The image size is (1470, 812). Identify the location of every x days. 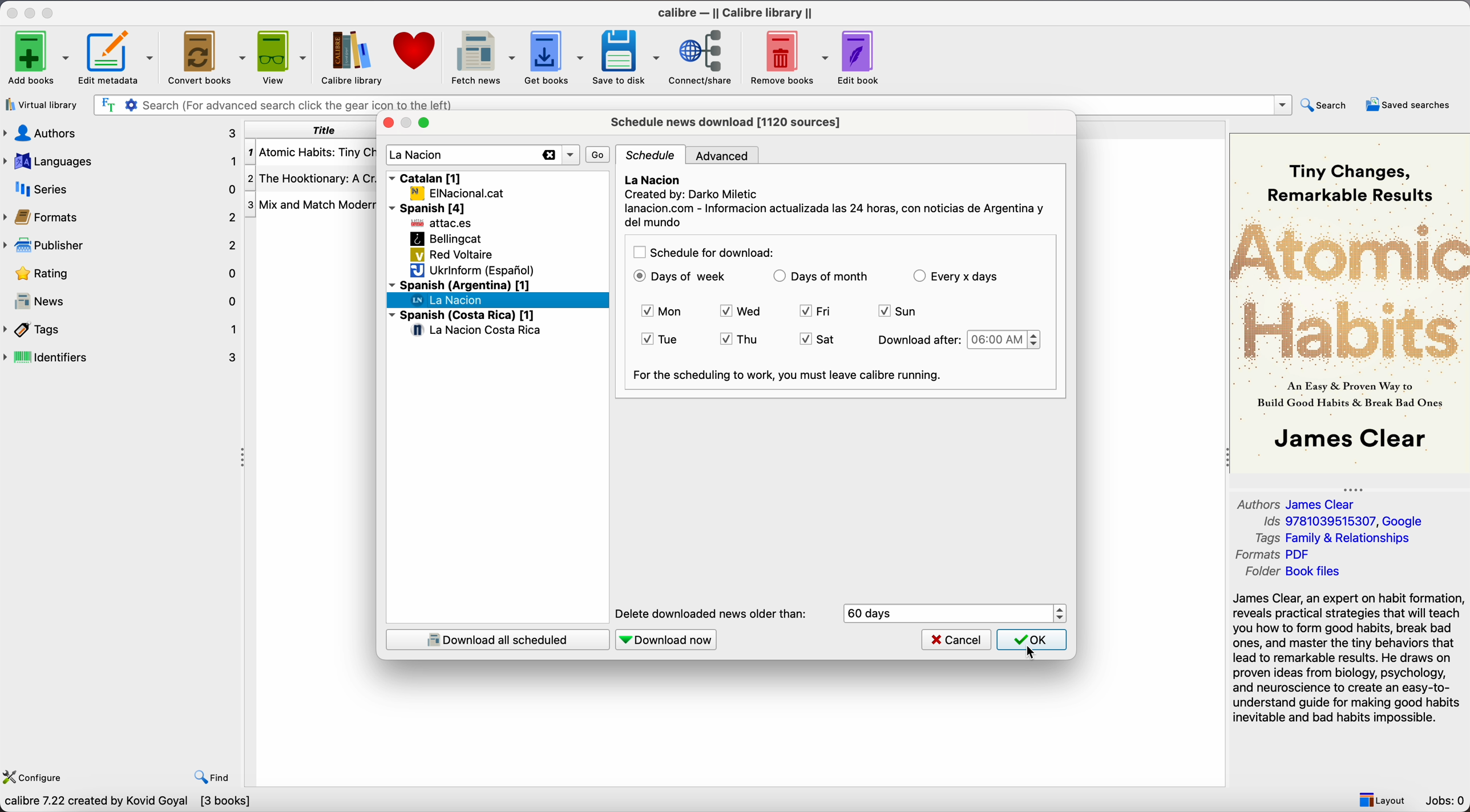
(957, 276).